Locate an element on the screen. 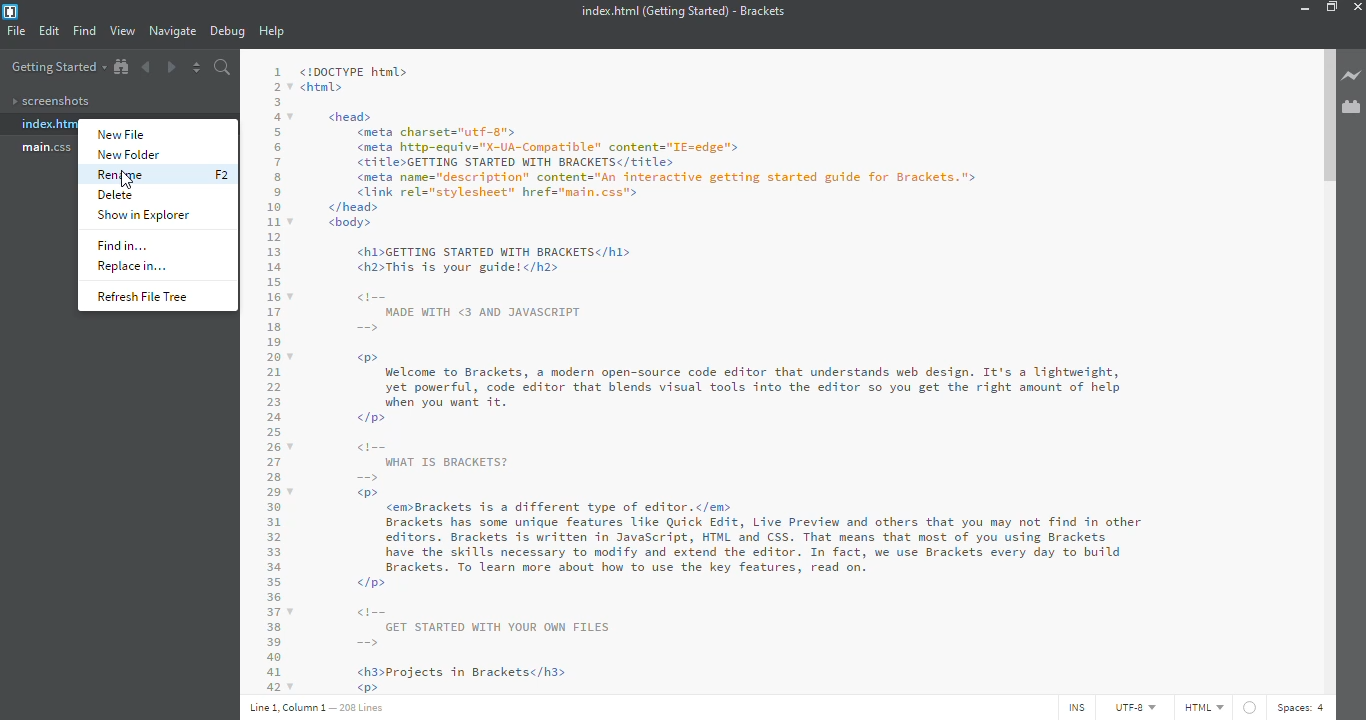  new folder is located at coordinates (129, 155).